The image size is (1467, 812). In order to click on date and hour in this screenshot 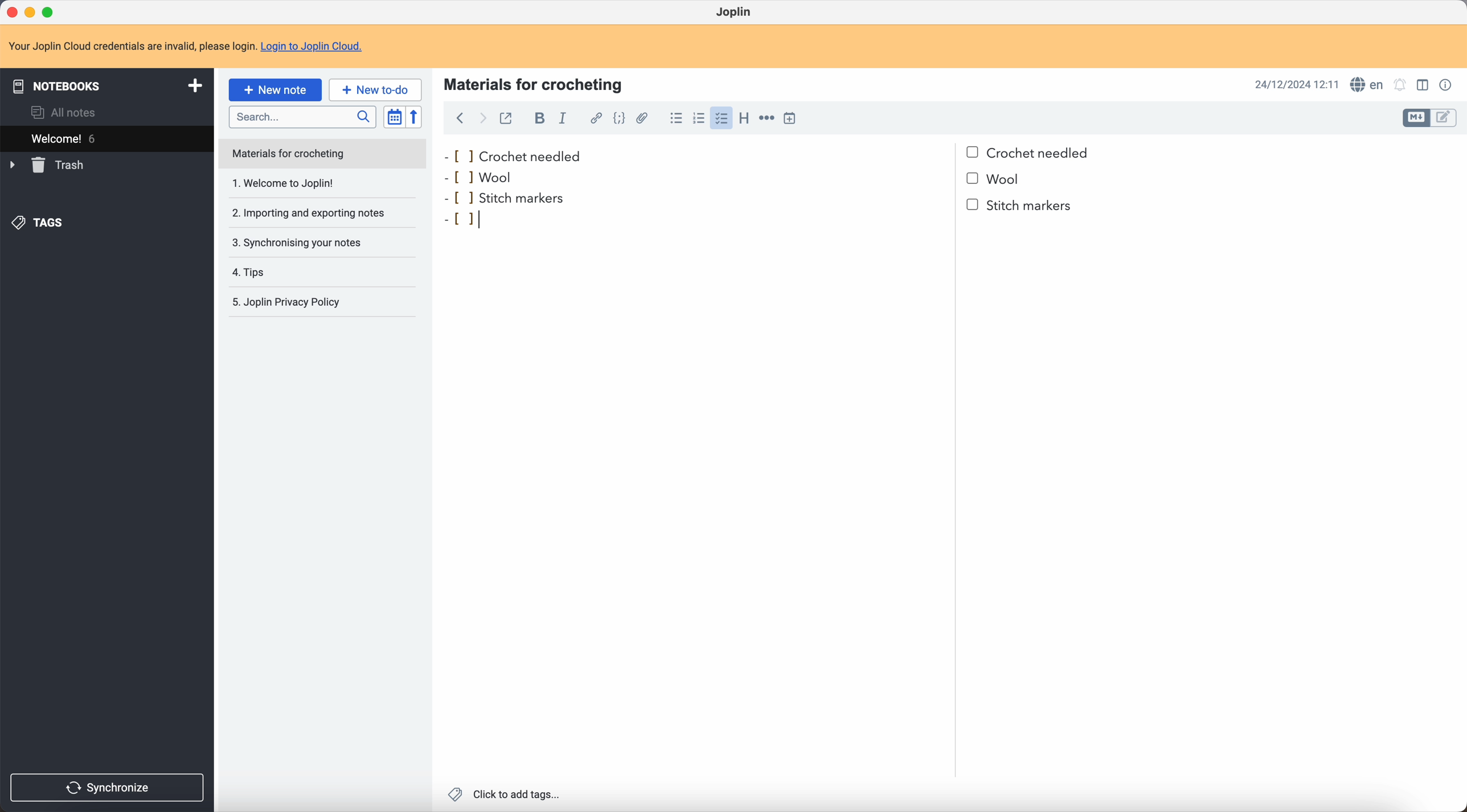, I will do `click(1297, 84)`.